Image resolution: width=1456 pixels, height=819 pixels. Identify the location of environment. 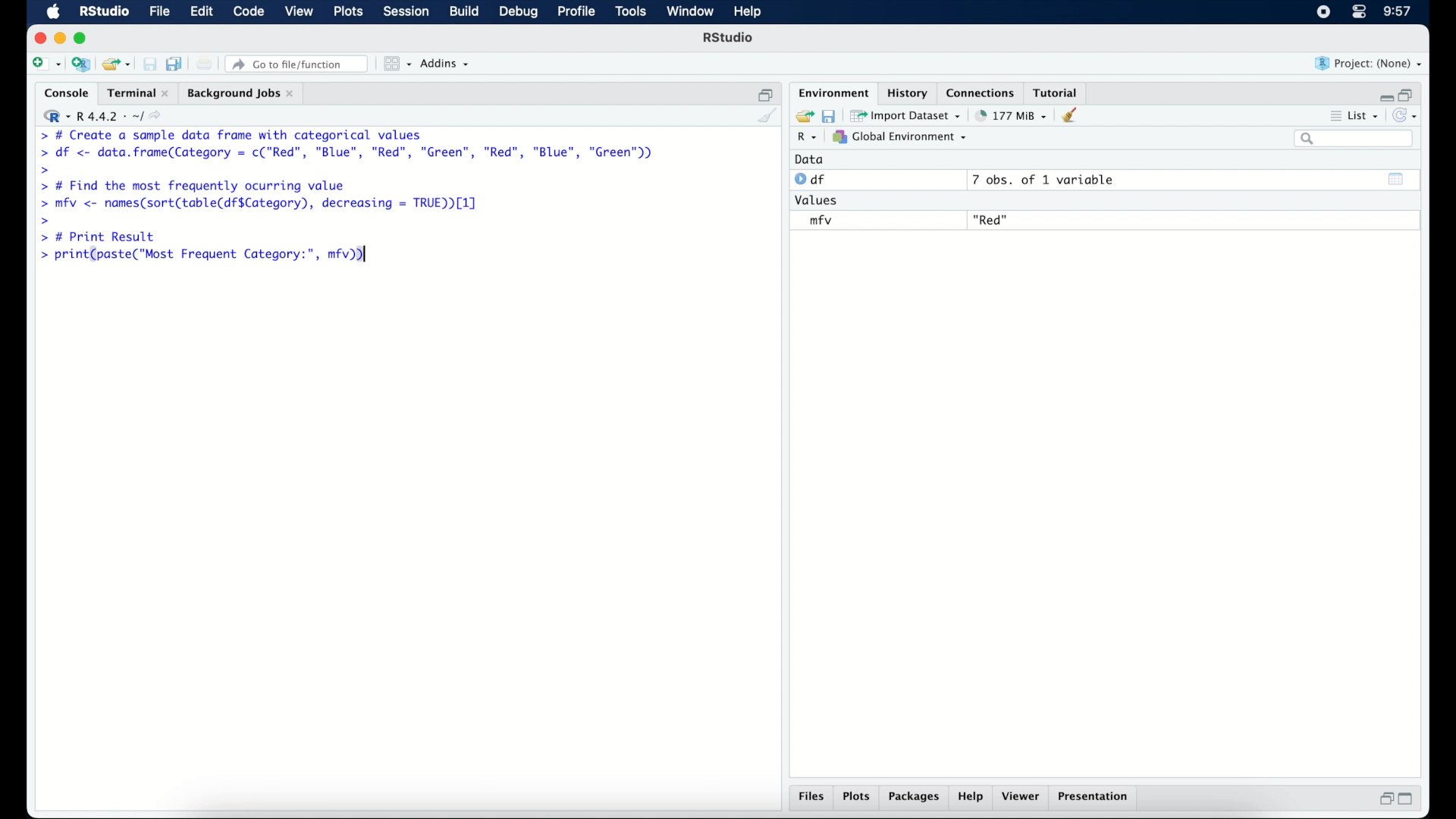
(833, 92).